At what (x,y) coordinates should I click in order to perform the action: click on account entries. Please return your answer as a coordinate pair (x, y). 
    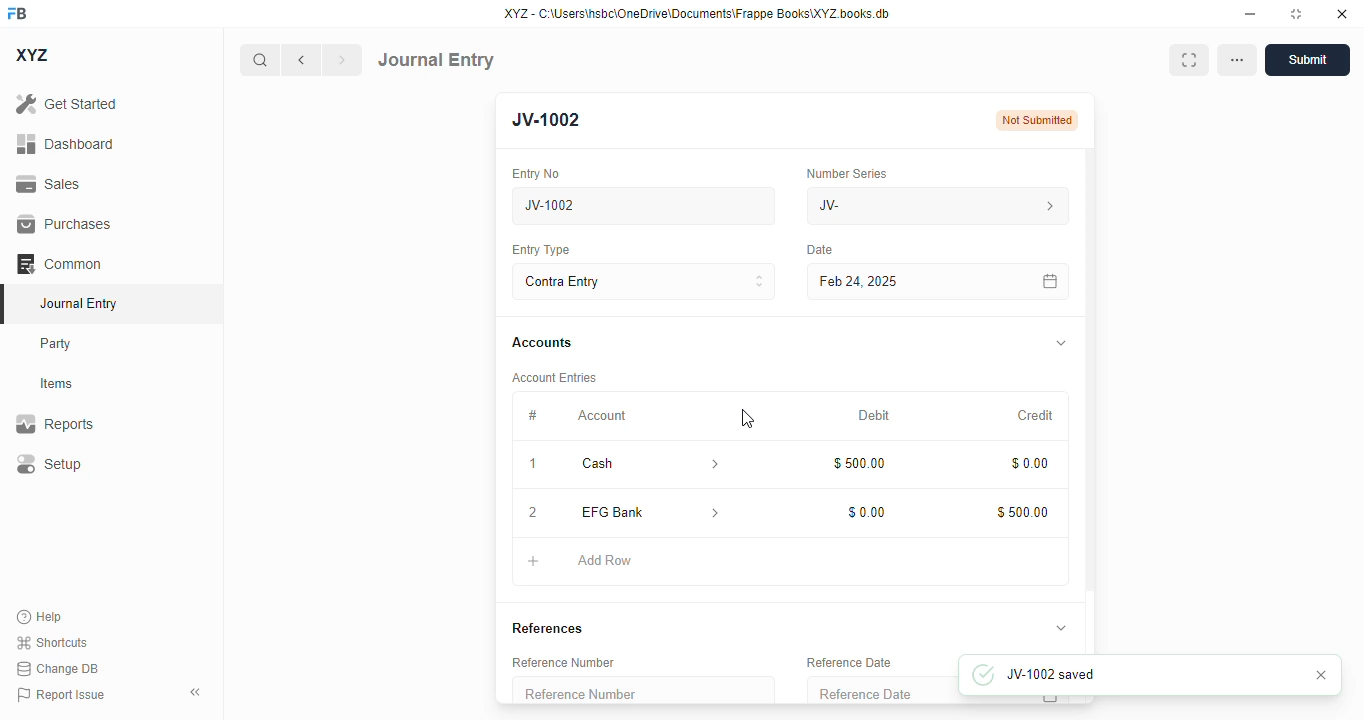
    Looking at the image, I should click on (556, 377).